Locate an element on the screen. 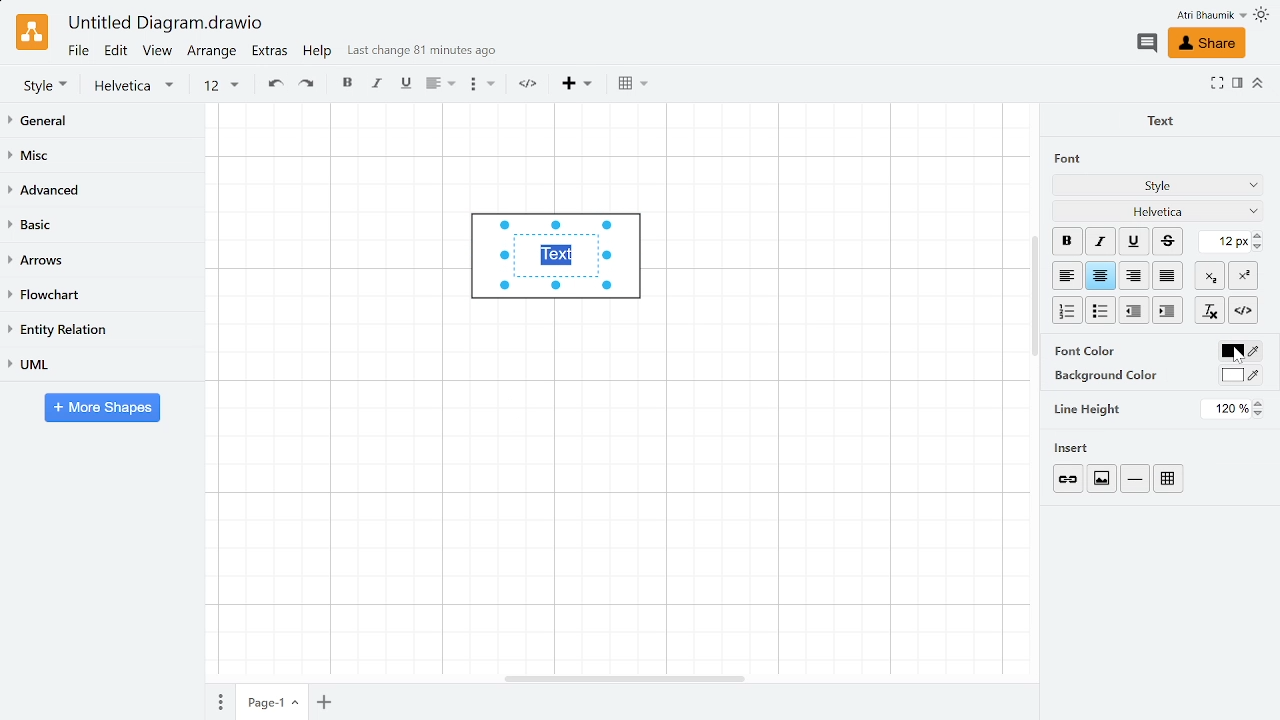 This screenshot has width=1280, height=720. general is located at coordinates (104, 122).